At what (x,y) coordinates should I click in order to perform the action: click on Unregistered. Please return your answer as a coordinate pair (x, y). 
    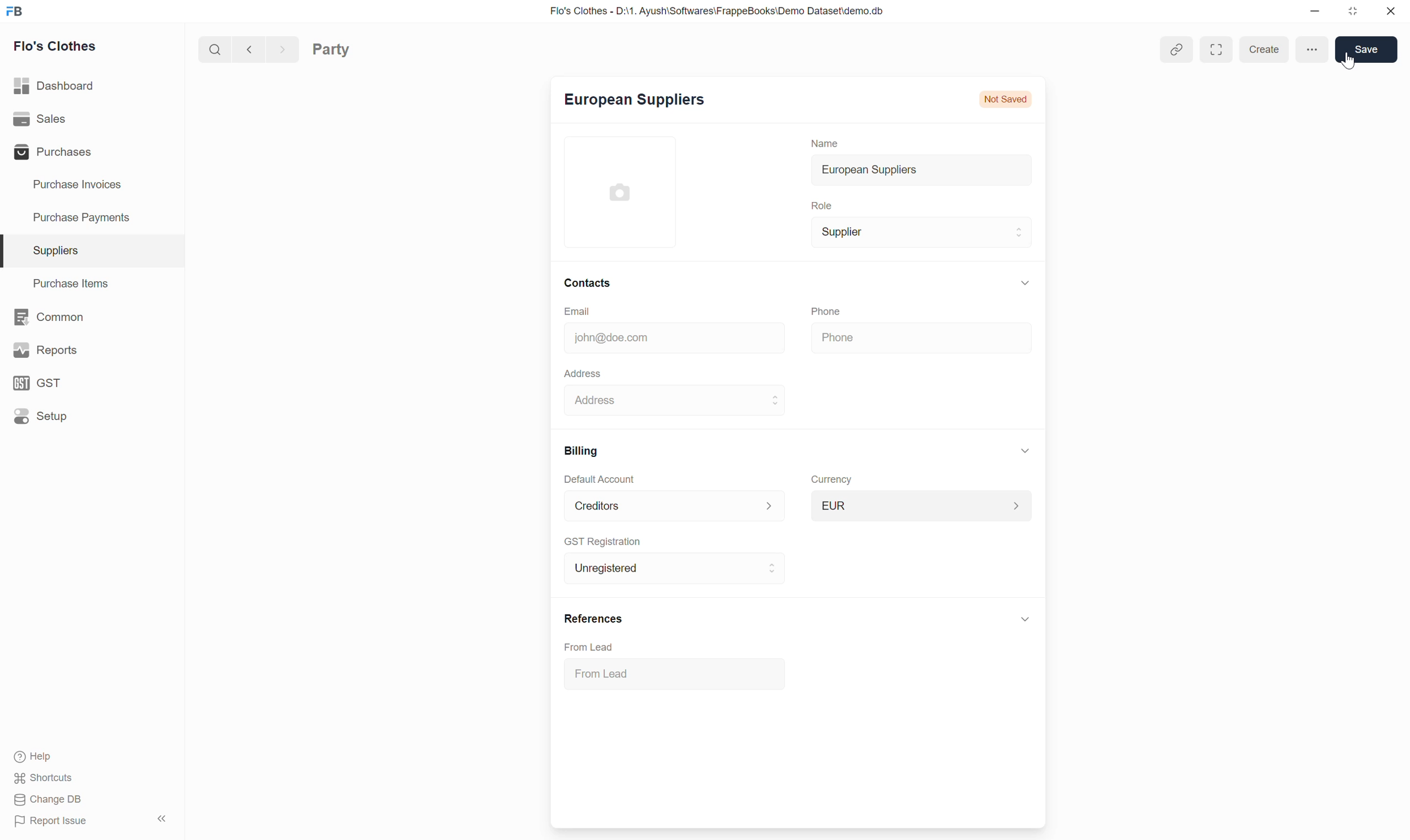
    Looking at the image, I should click on (604, 567).